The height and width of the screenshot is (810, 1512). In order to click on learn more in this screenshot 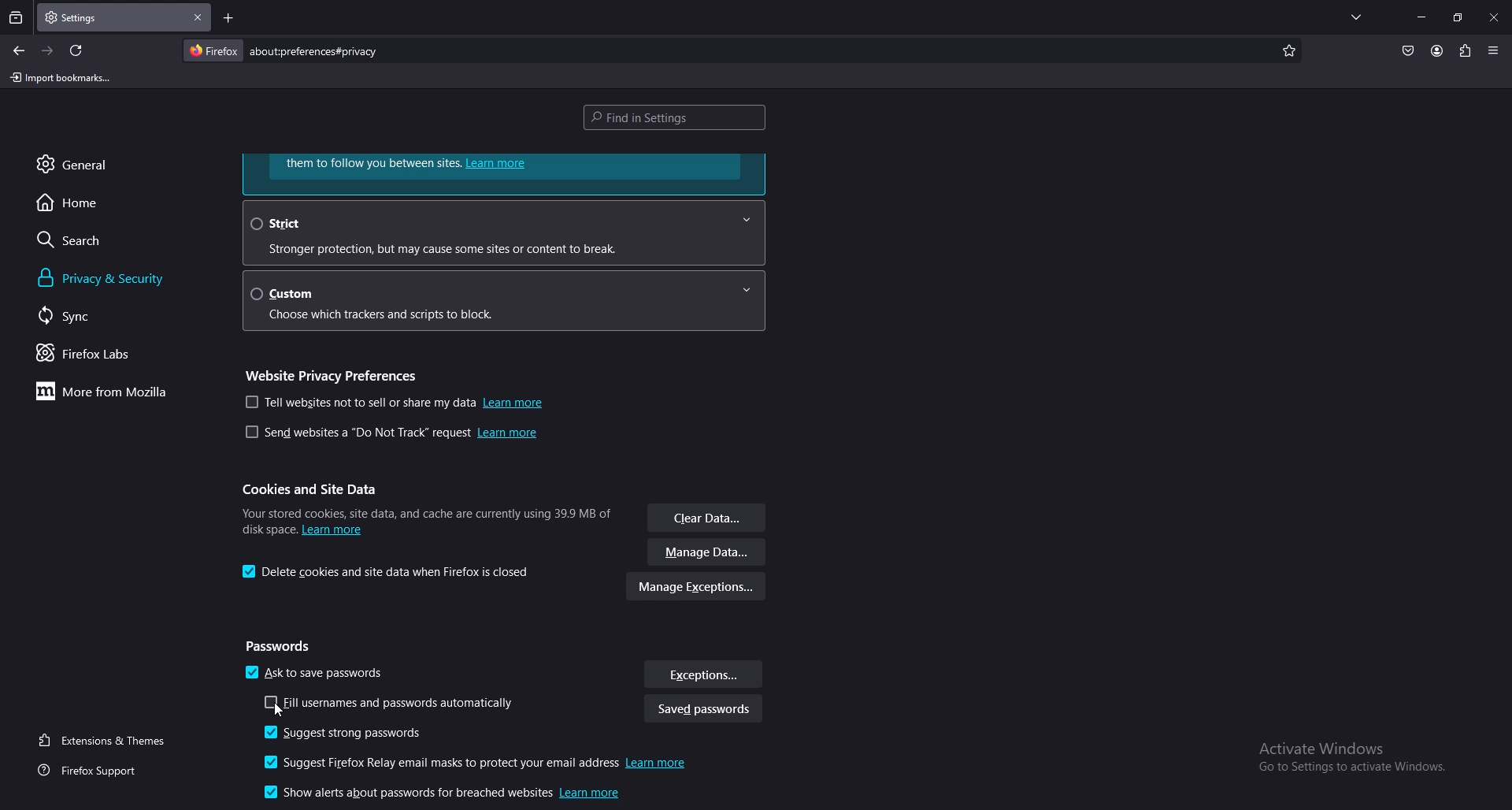, I will do `click(505, 173)`.